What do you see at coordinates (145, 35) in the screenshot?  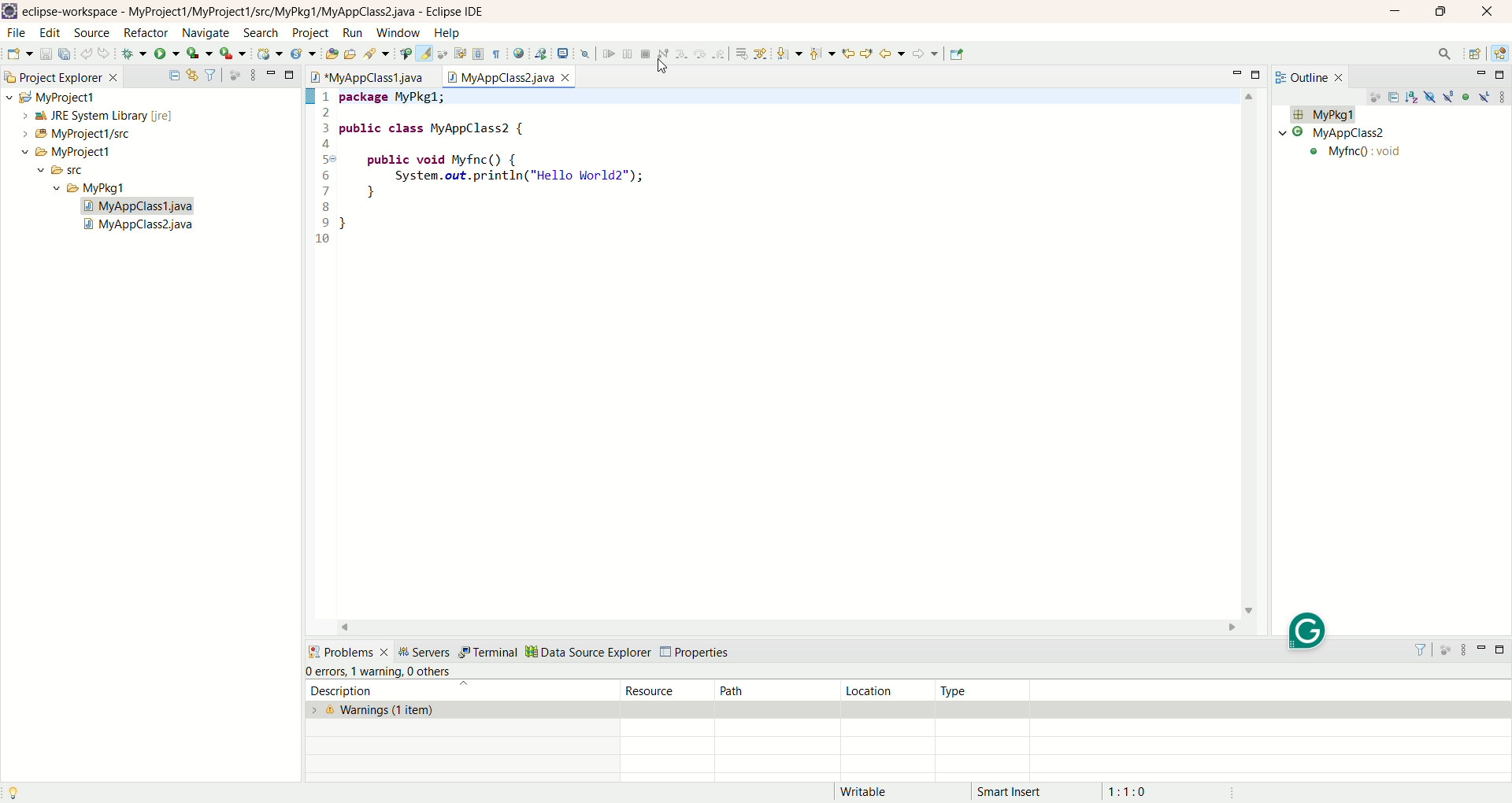 I see `refactor` at bounding box center [145, 35].